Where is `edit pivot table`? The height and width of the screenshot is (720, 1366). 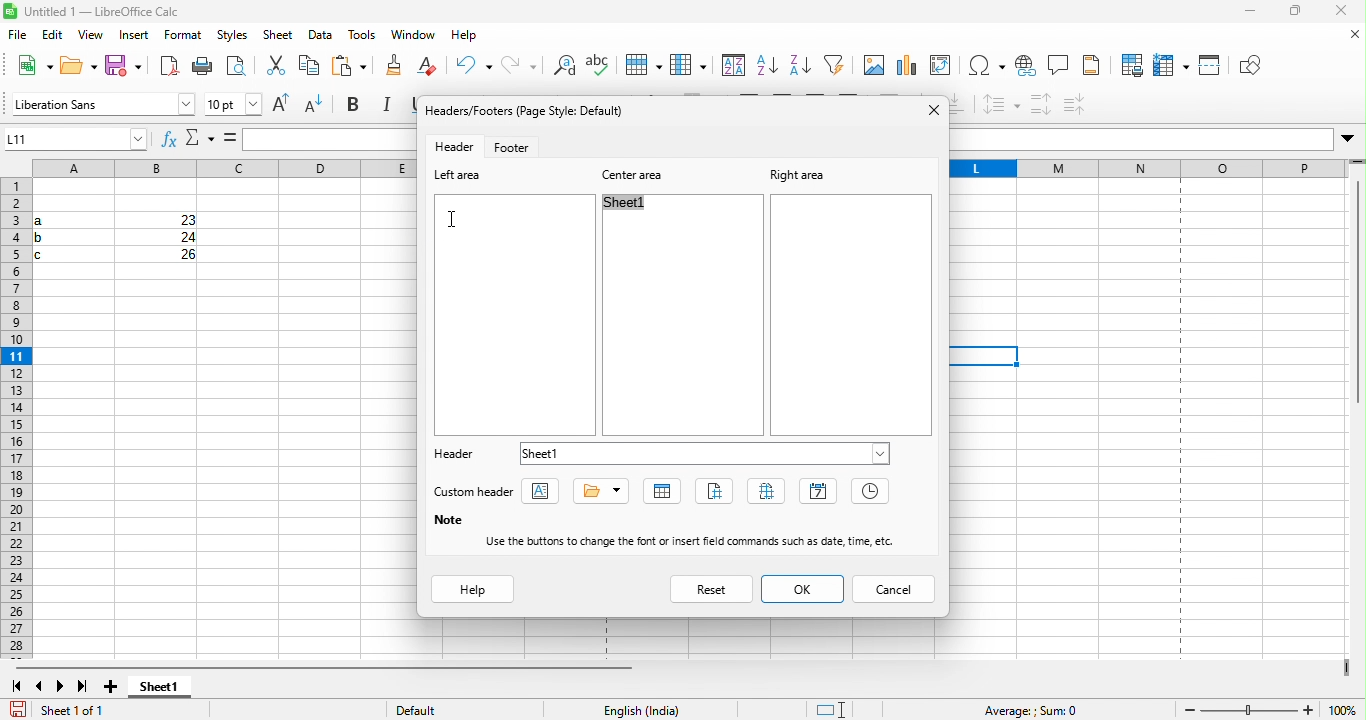 edit pivot table is located at coordinates (946, 66).